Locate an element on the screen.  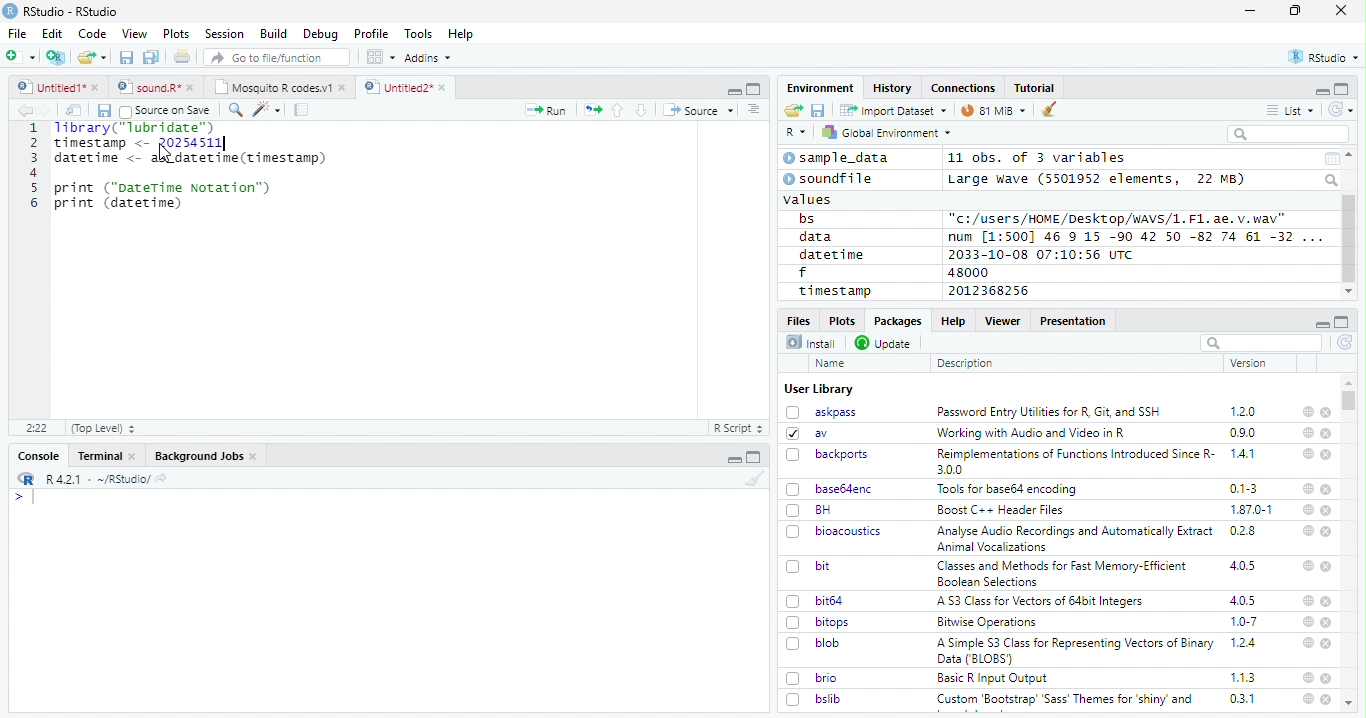
blob is located at coordinates (813, 643).